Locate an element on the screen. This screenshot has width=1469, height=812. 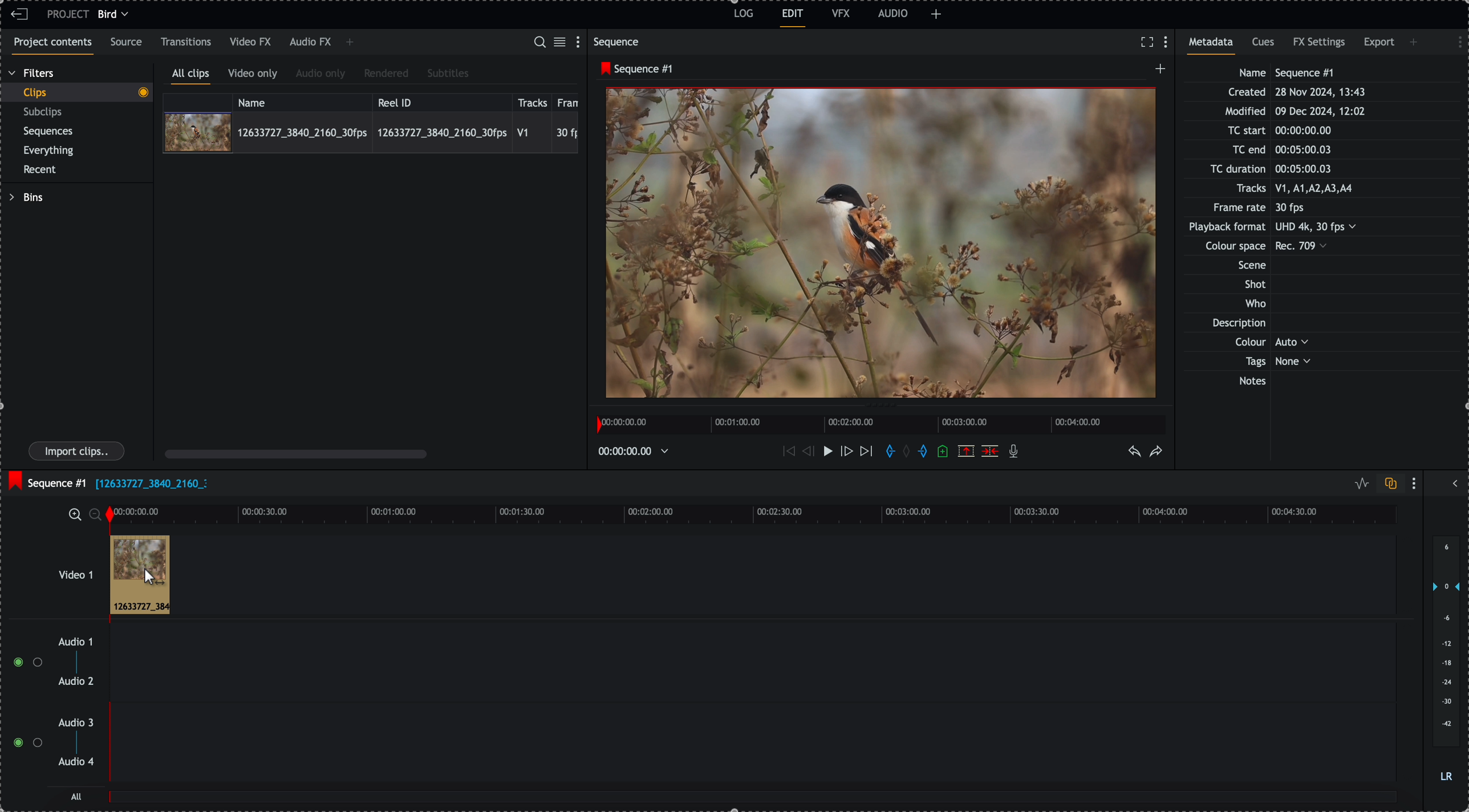
audio only is located at coordinates (321, 75).